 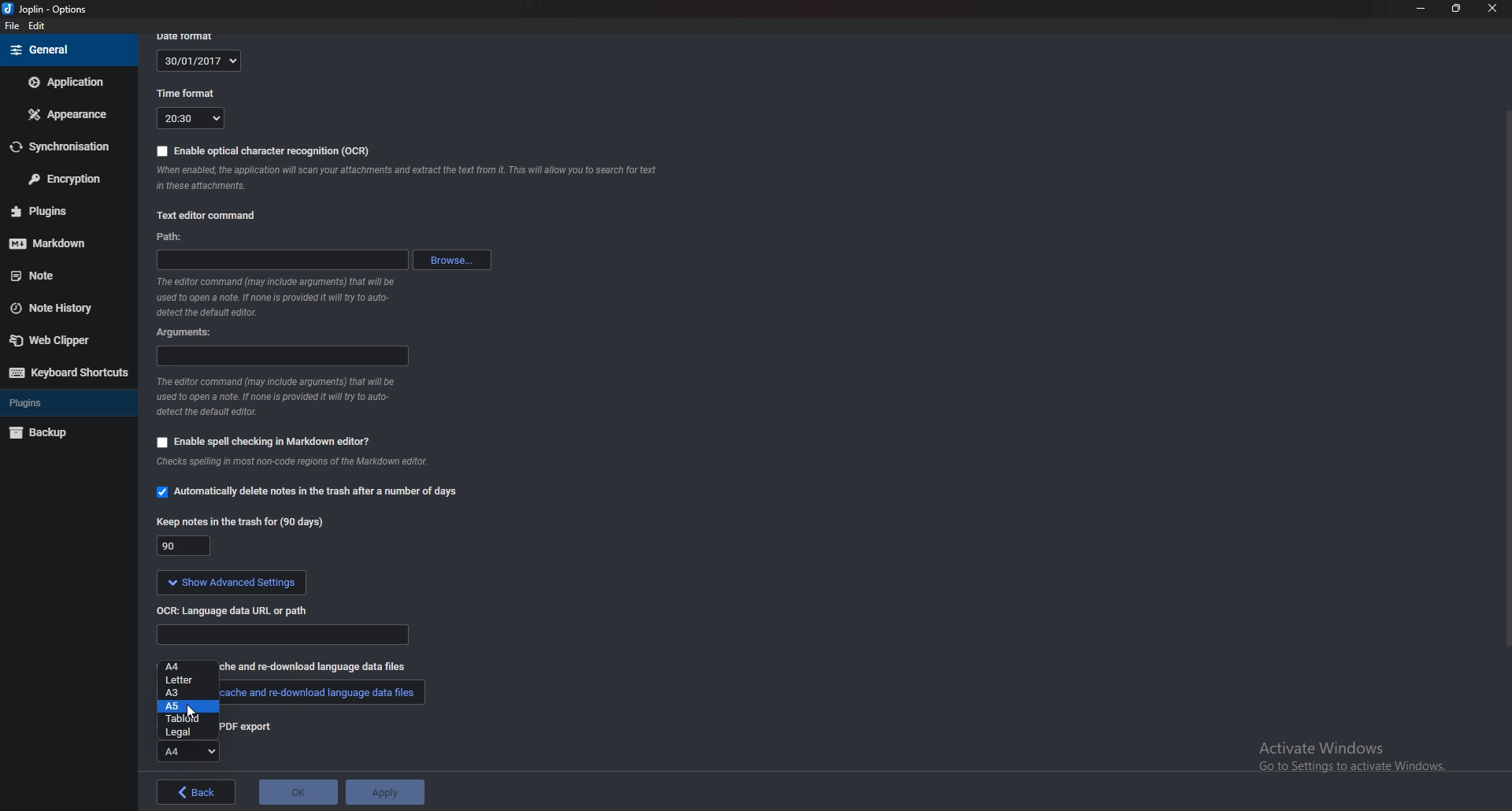 I want to click on path, so click(x=176, y=238).